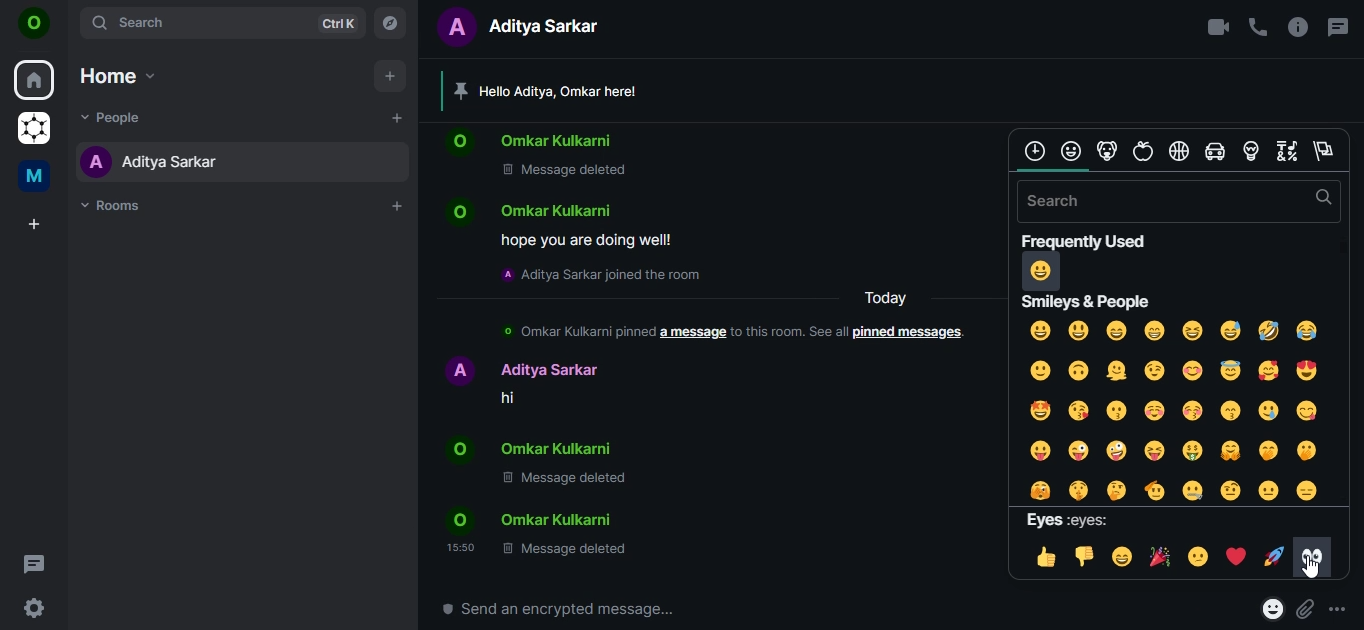 The width and height of the screenshot is (1364, 630). What do you see at coordinates (1079, 331) in the screenshot?
I see `grinning face with open eyes` at bounding box center [1079, 331].